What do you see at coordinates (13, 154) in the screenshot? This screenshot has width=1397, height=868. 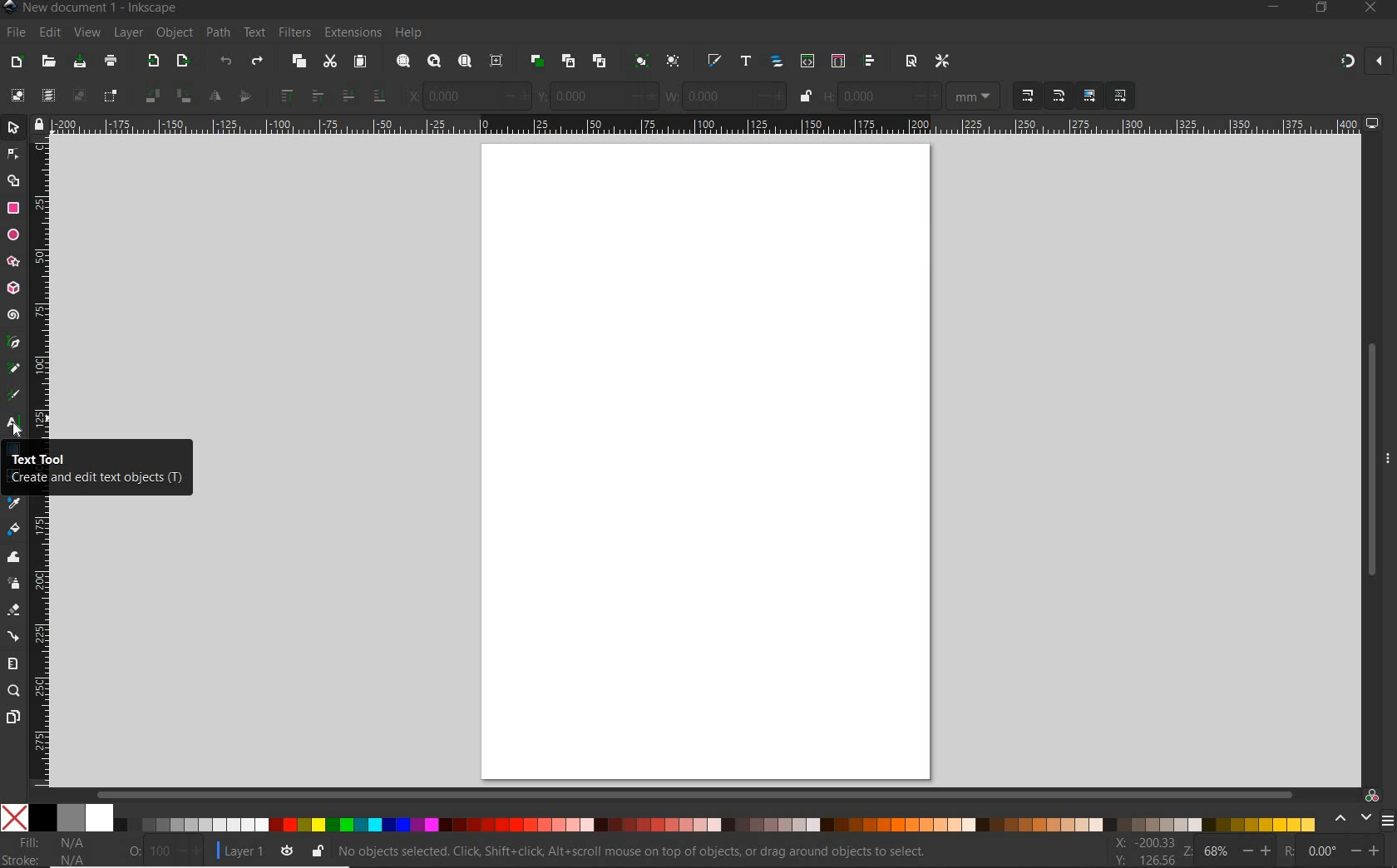 I see `node tool` at bounding box center [13, 154].